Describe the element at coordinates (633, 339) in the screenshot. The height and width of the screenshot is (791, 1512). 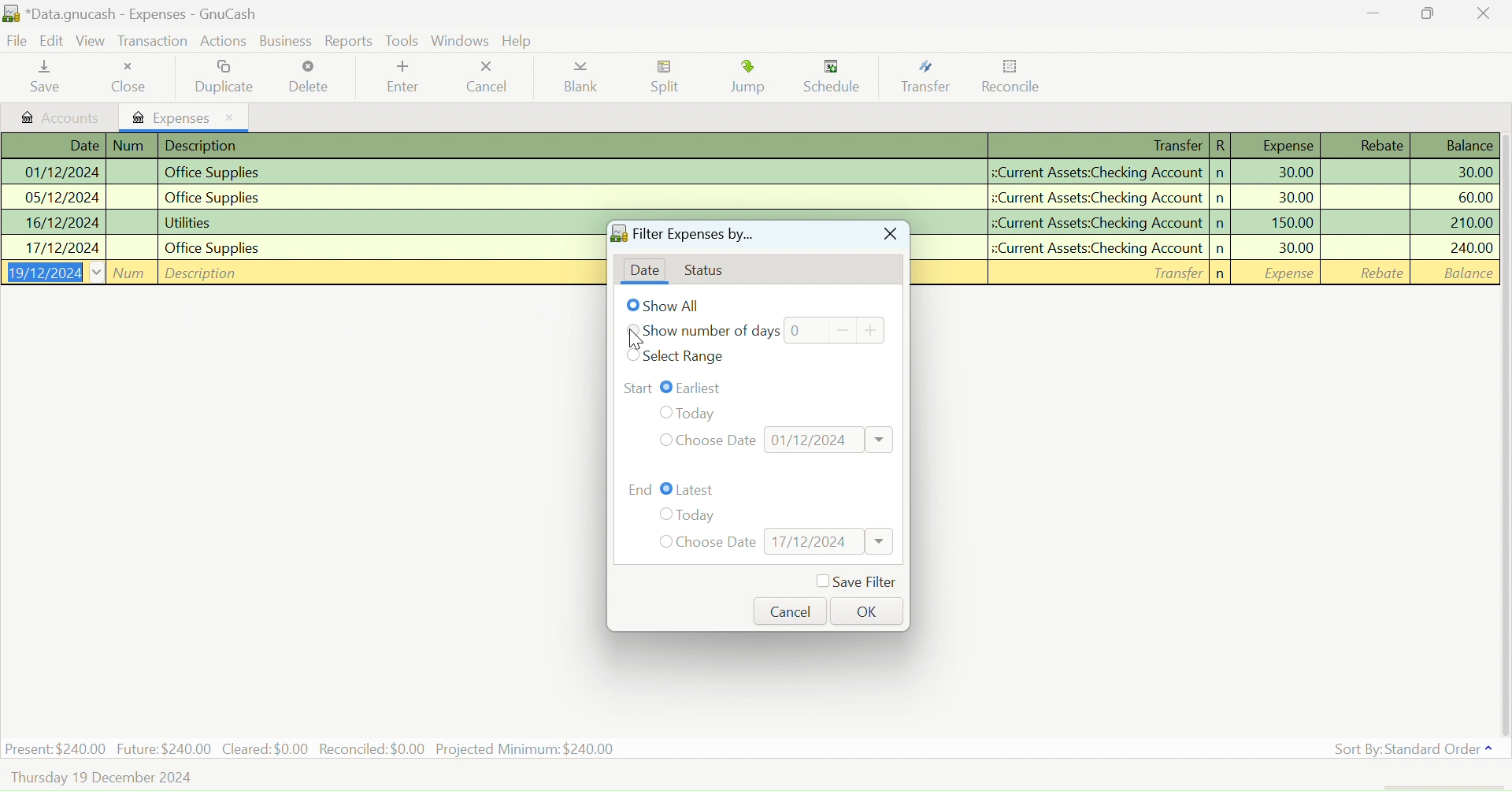
I see `Cursor Position` at that location.